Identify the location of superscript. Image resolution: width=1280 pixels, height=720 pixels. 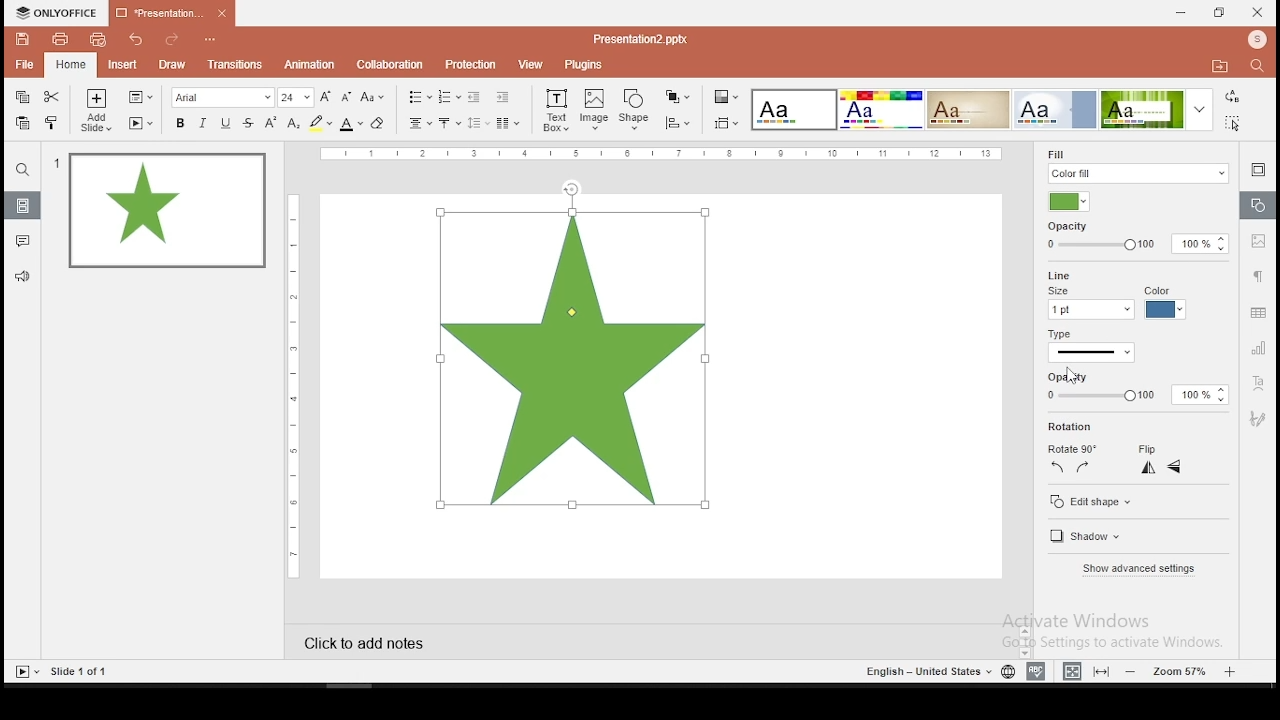
(269, 121).